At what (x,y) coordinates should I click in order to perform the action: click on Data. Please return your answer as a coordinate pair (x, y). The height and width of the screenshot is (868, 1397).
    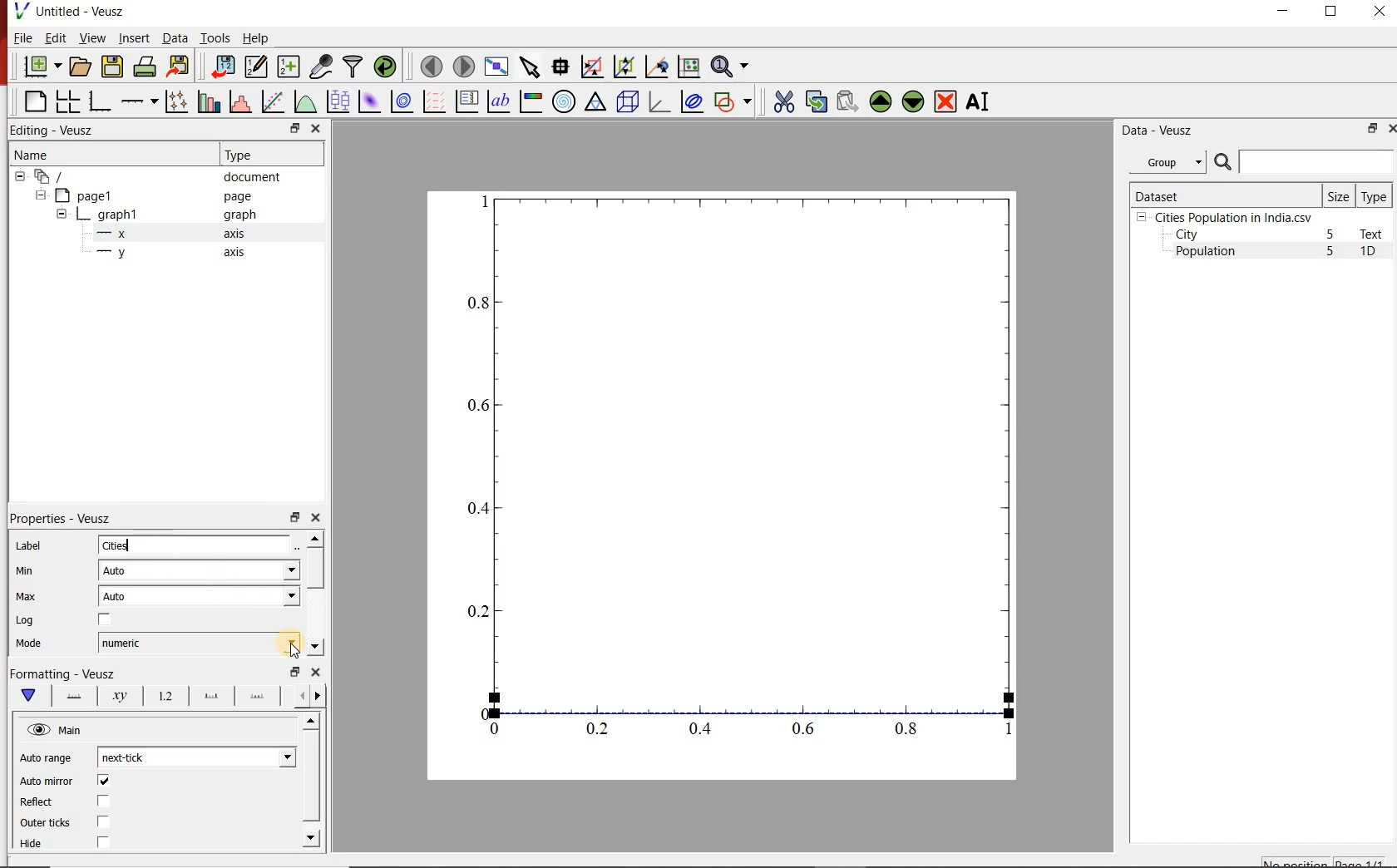
    Looking at the image, I should click on (175, 39).